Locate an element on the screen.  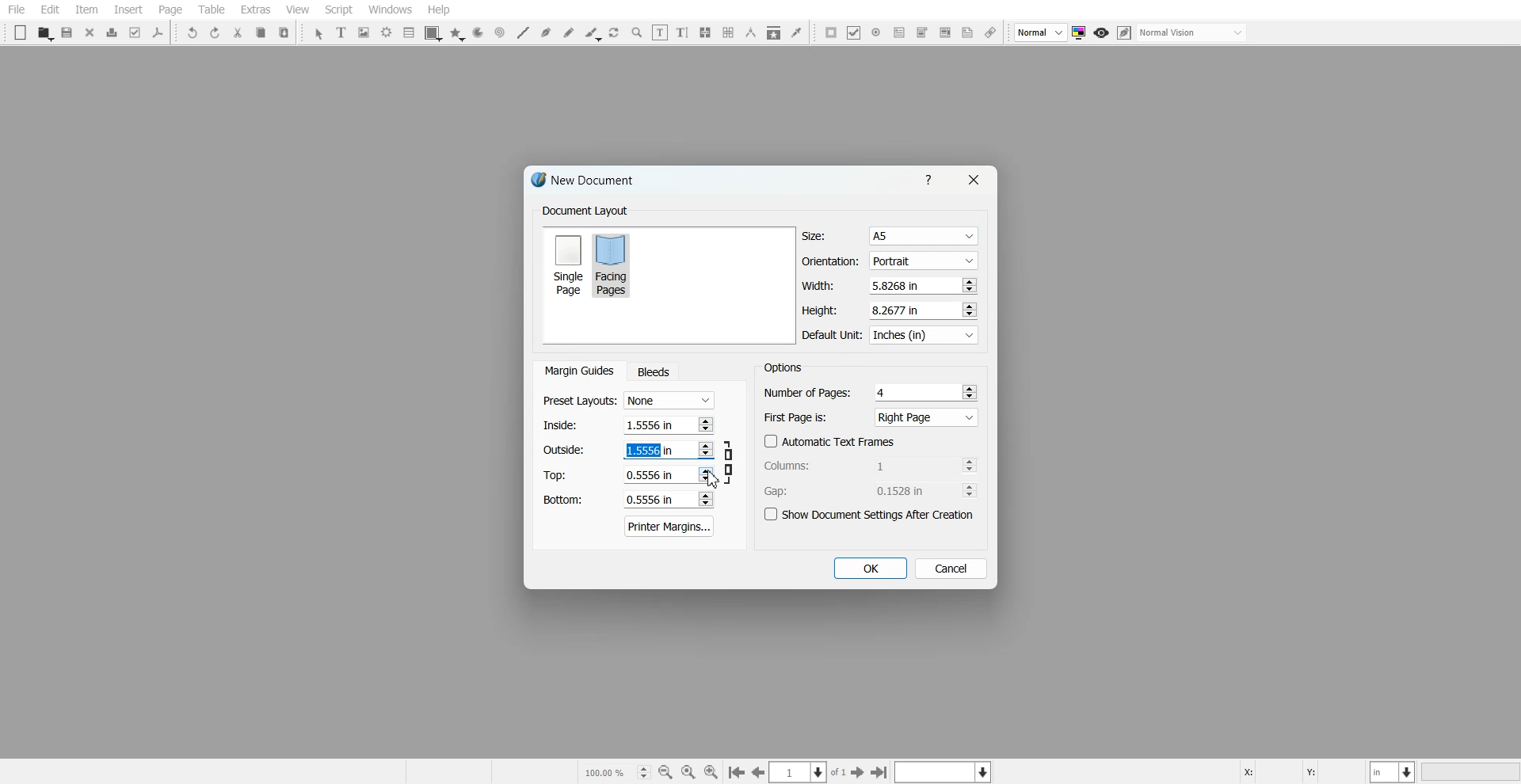
List is located at coordinates (410, 32).